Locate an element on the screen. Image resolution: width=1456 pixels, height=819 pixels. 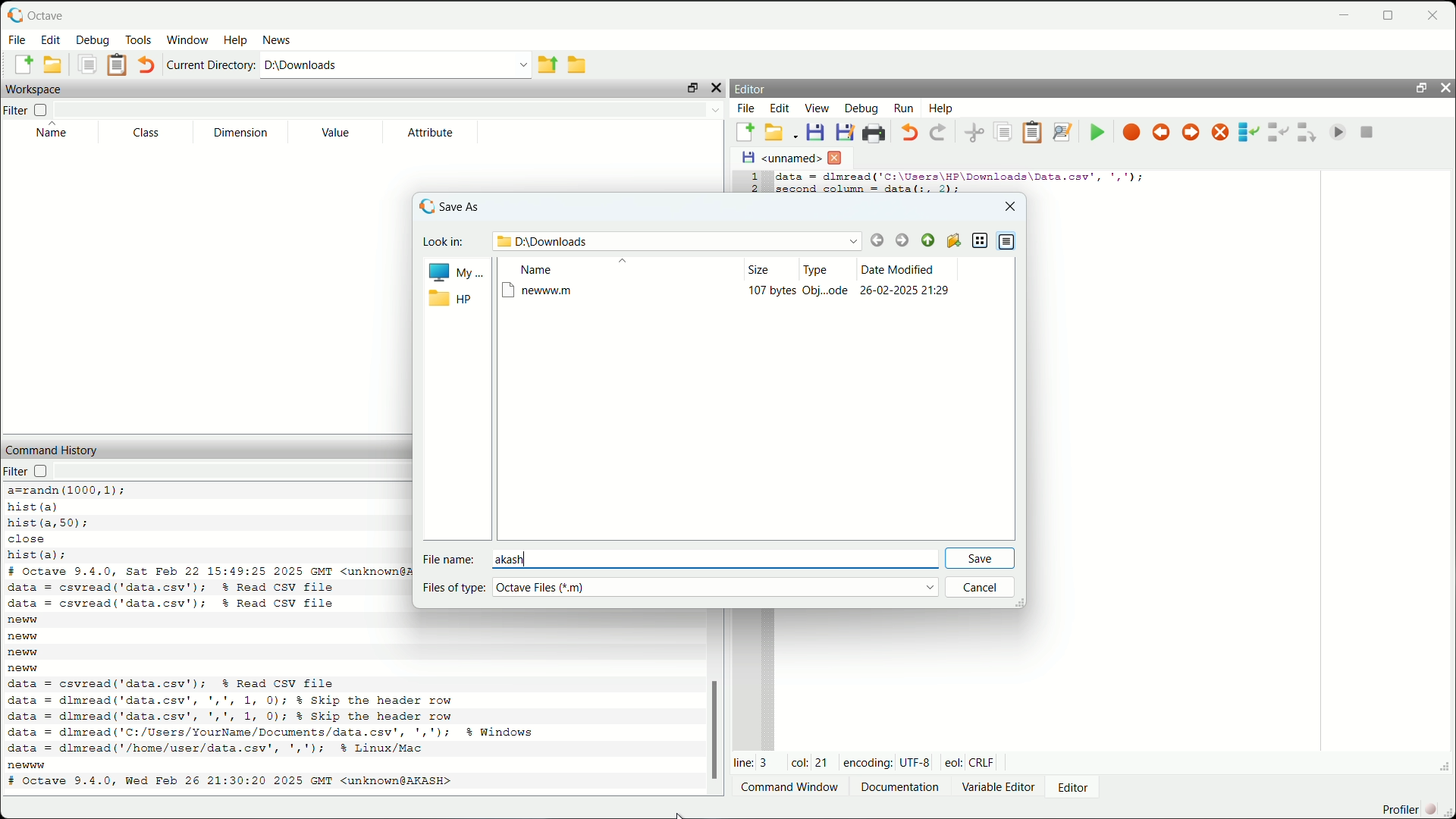
enter file name is located at coordinates (717, 558).